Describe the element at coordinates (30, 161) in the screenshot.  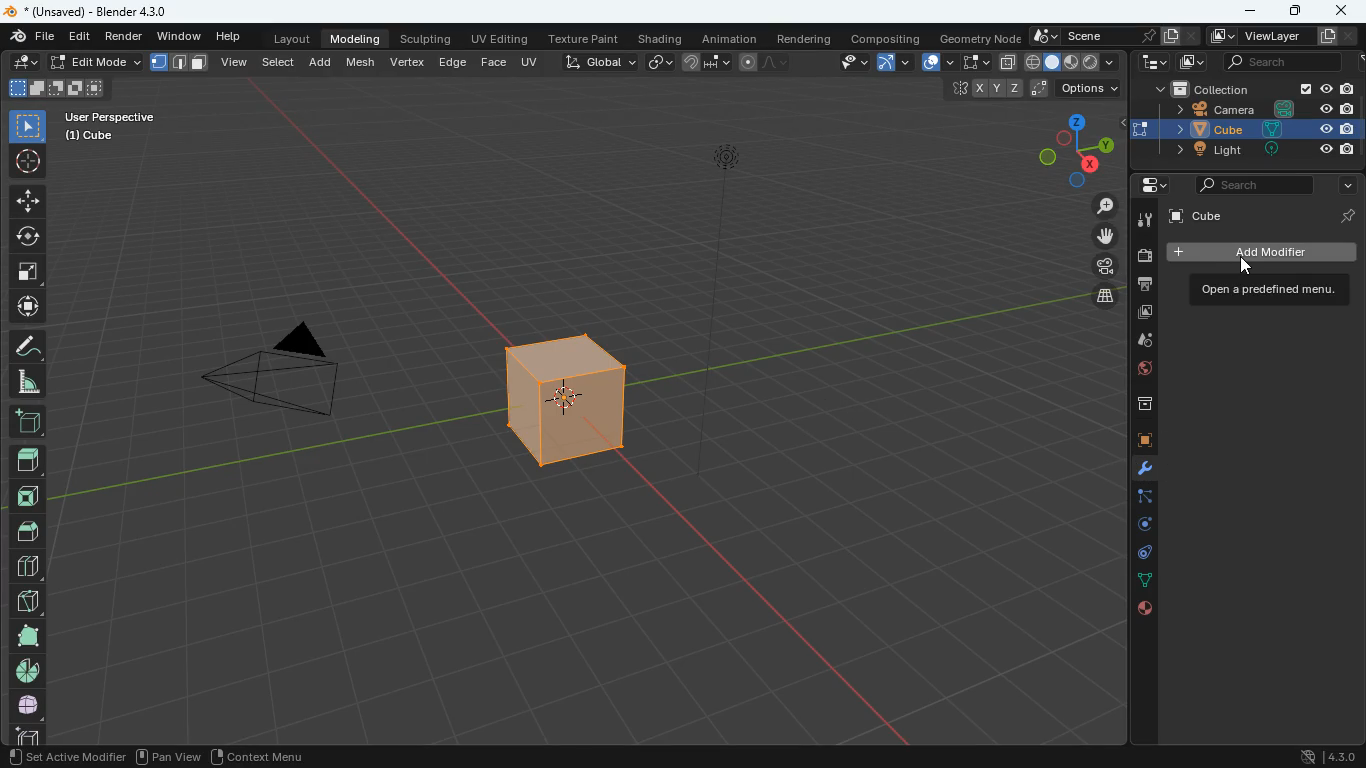
I see `aim` at that location.